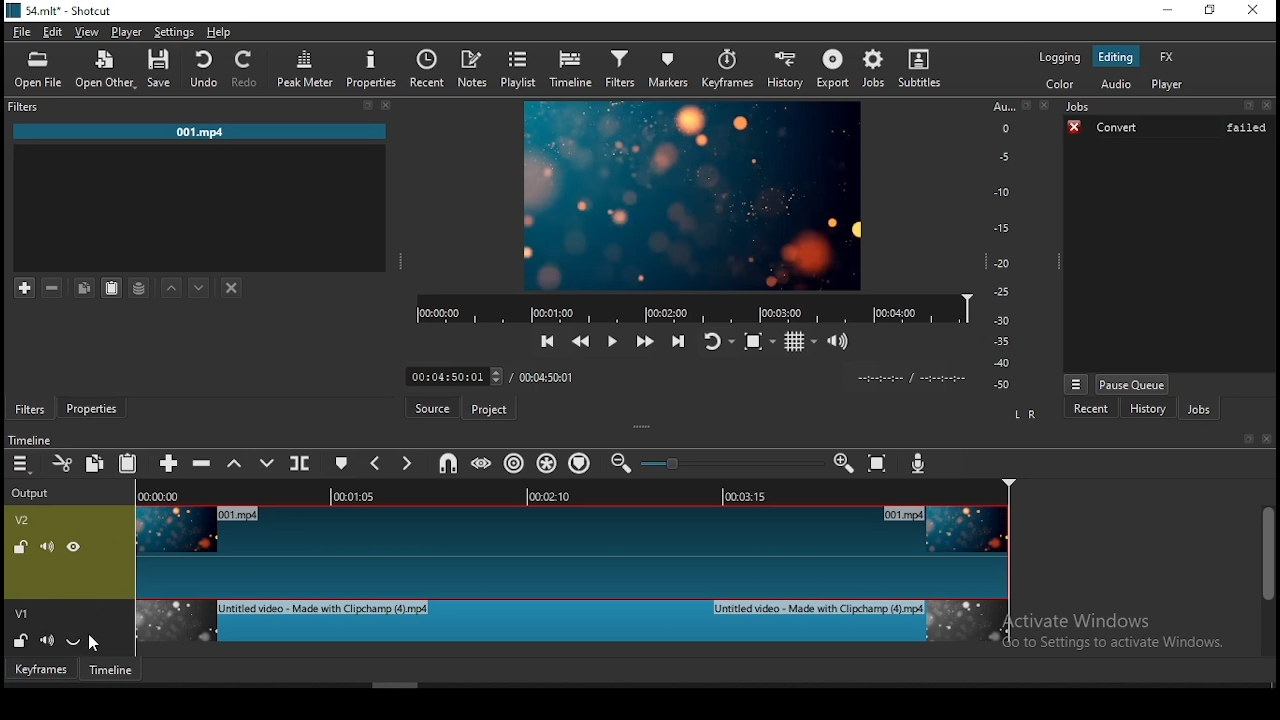  What do you see at coordinates (924, 67) in the screenshot?
I see `subtitles` at bounding box center [924, 67].